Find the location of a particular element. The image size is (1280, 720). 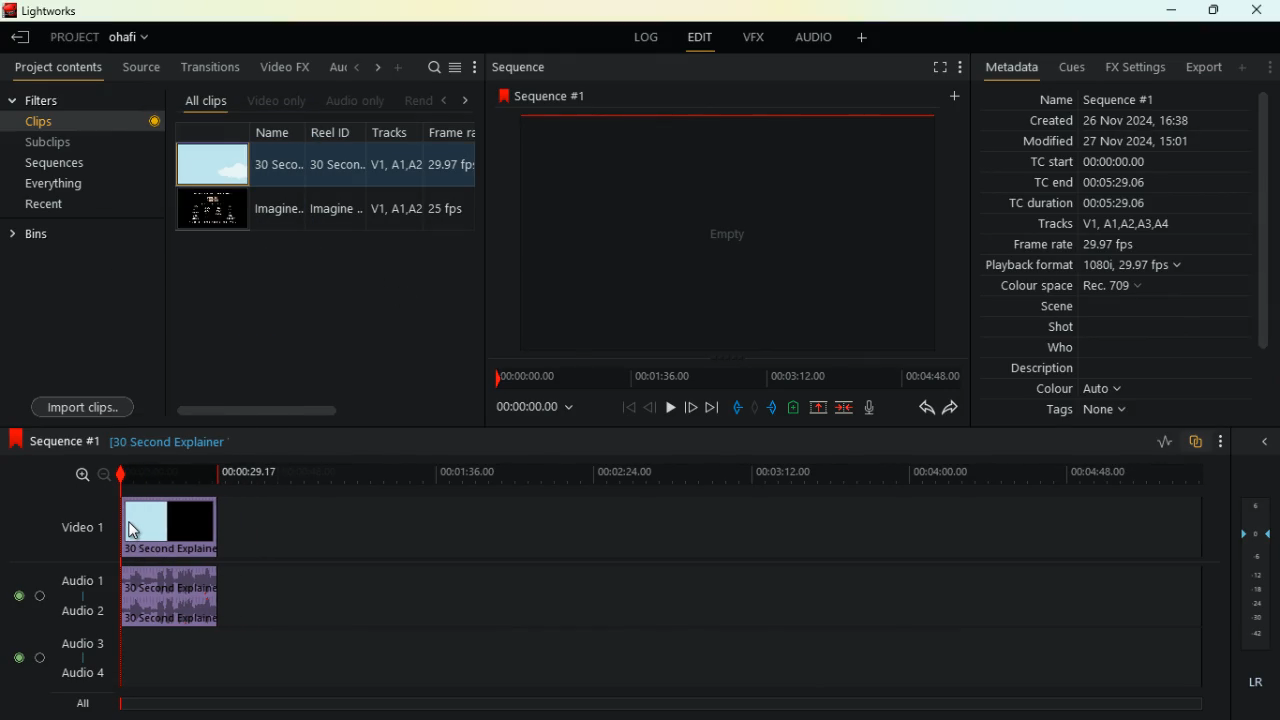

all is located at coordinates (80, 705).